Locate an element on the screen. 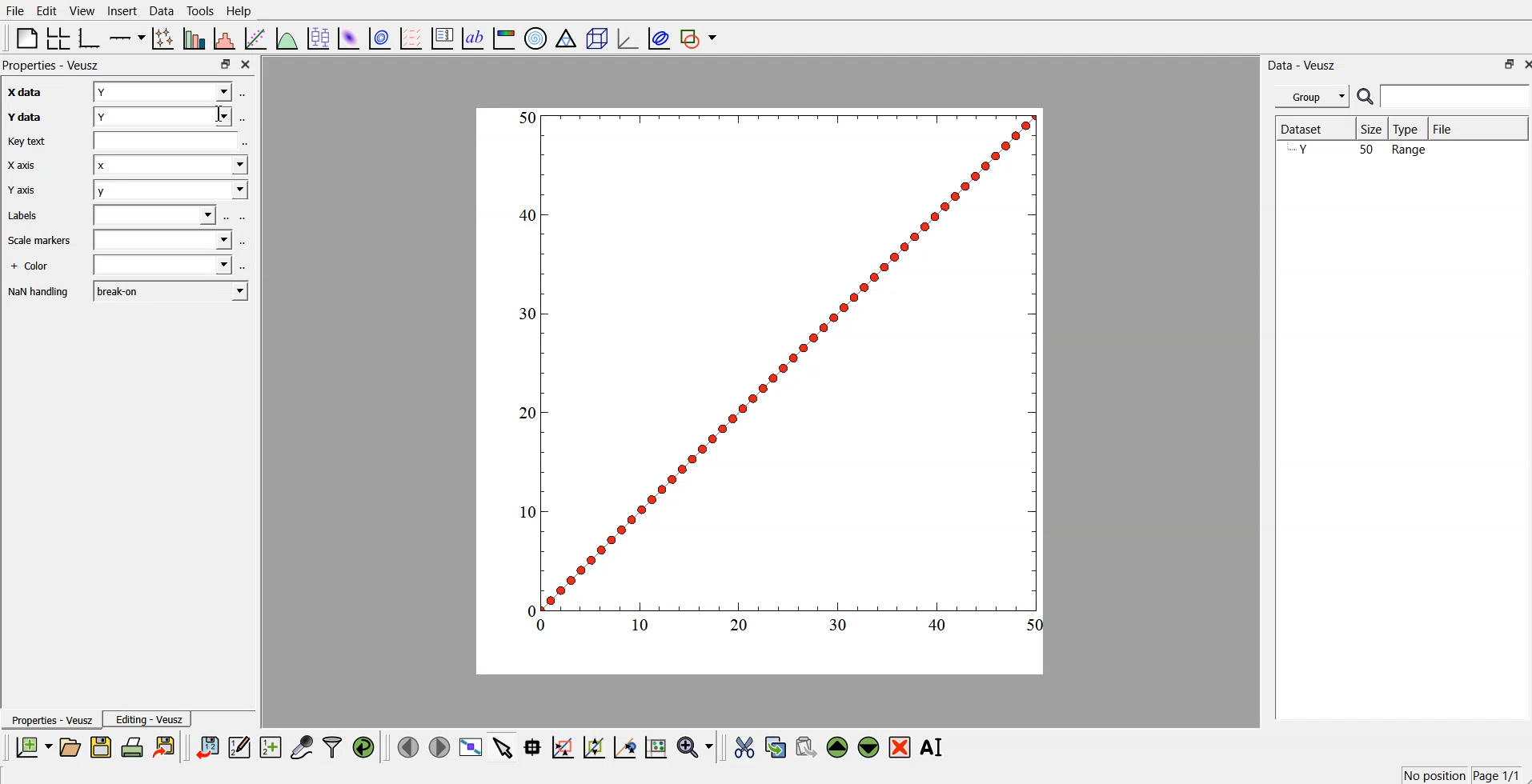  ‘Scale markers field is located at coordinates (162, 242).